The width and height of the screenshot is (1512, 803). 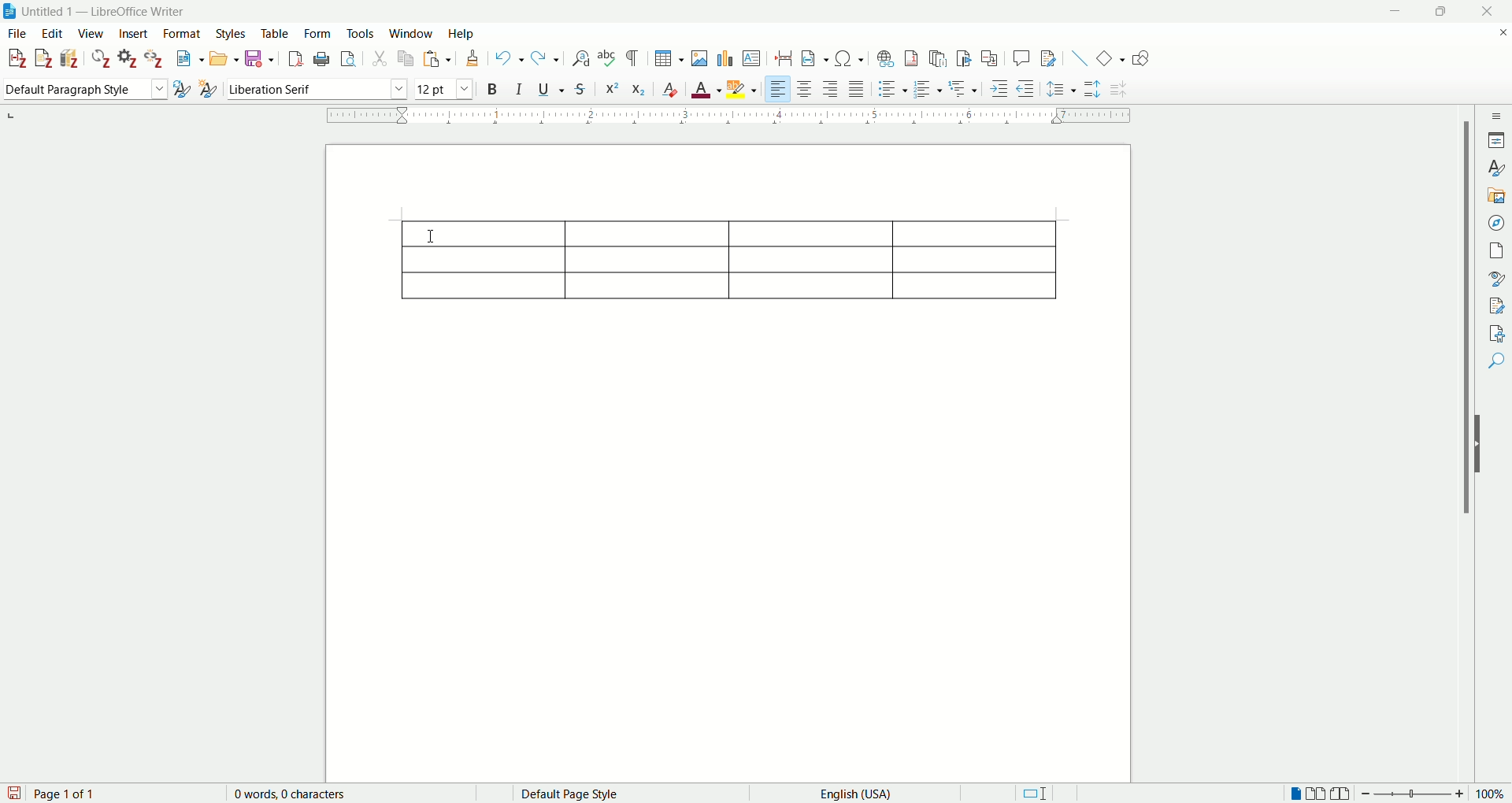 What do you see at coordinates (1499, 361) in the screenshot?
I see `find` at bounding box center [1499, 361].